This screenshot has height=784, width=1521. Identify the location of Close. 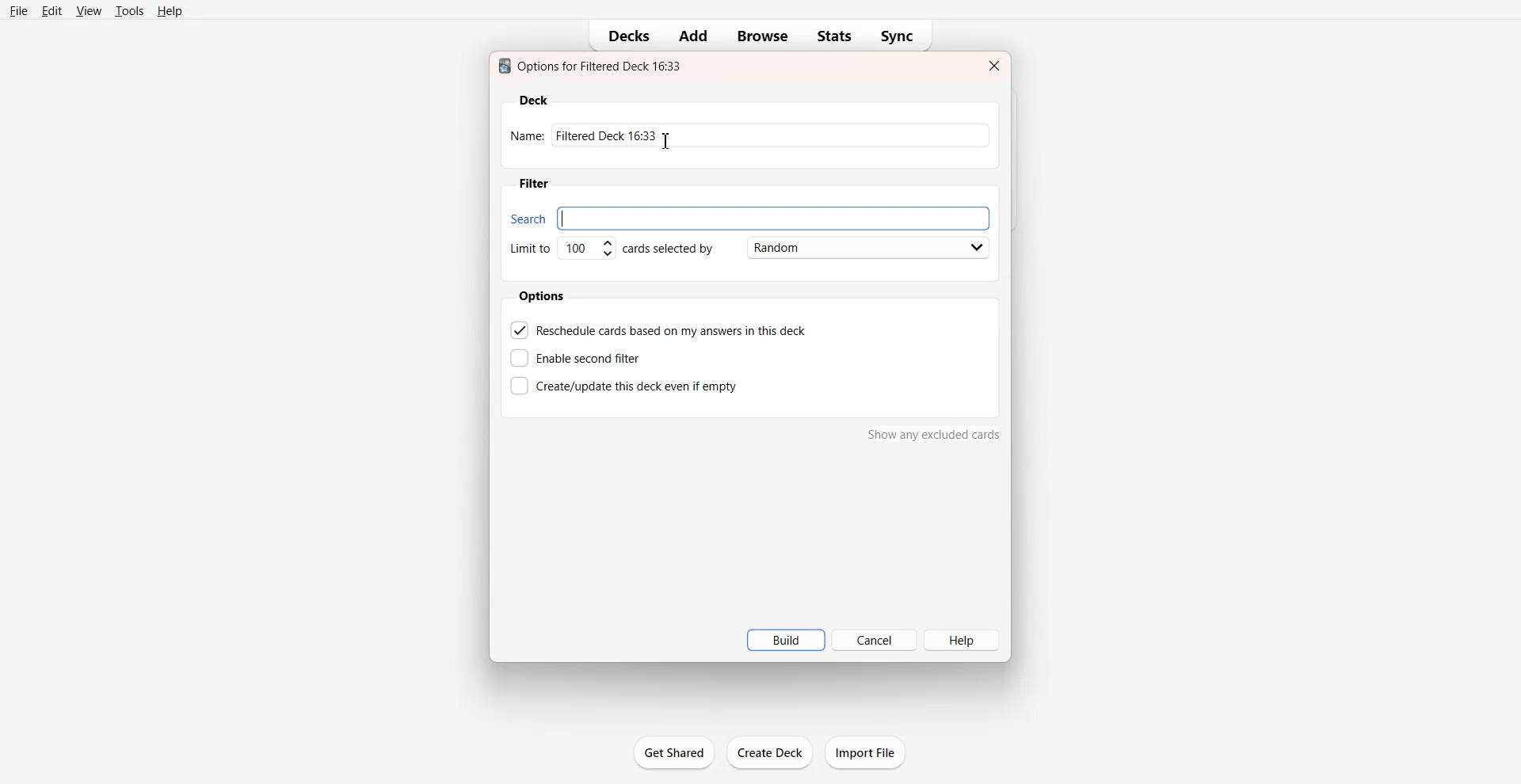
(993, 66).